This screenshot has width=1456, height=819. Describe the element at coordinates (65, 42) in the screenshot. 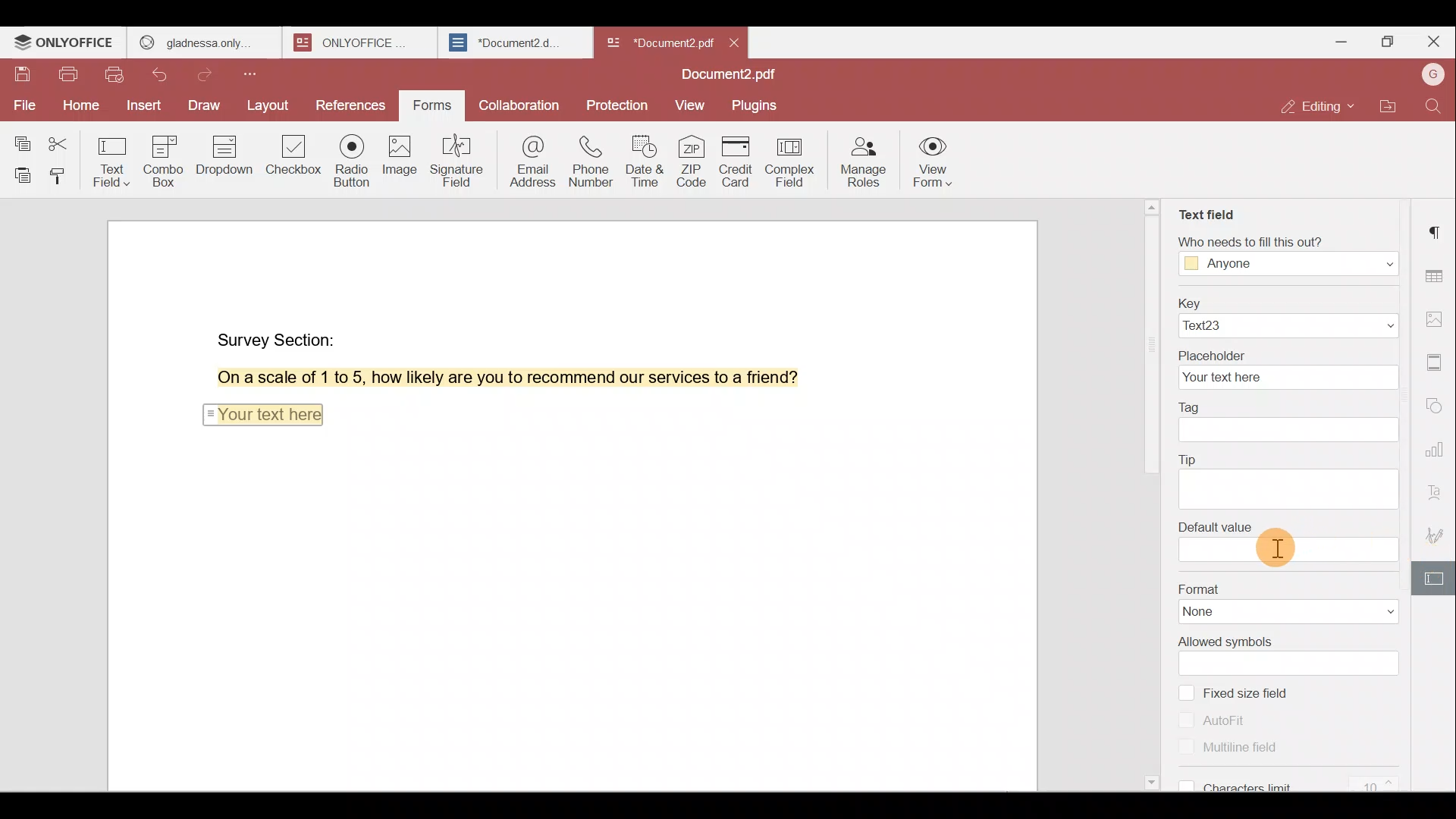

I see `ONLYOFFICE` at that location.